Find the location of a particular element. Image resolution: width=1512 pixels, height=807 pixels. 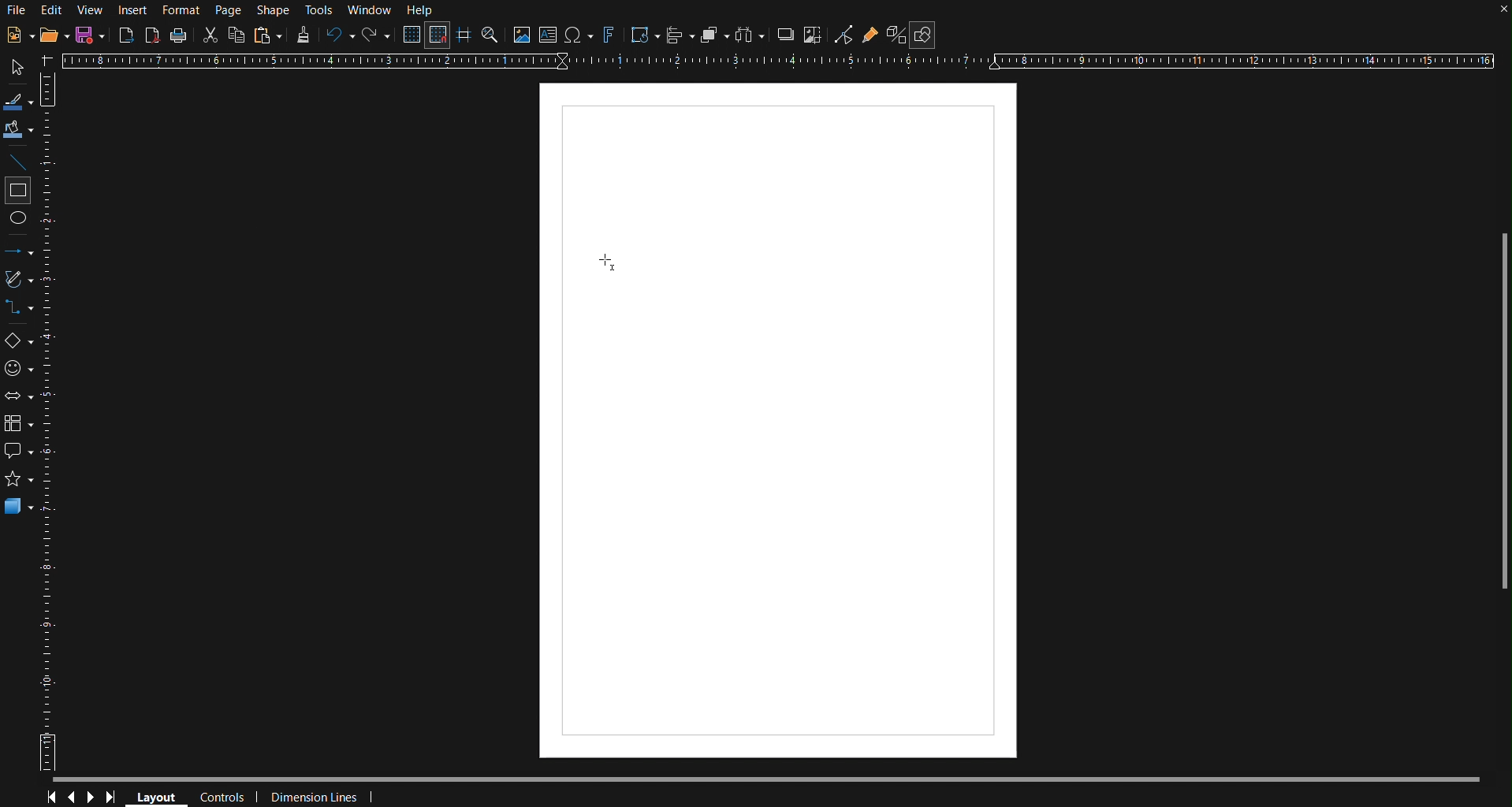

Cursor is located at coordinates (606, 261).